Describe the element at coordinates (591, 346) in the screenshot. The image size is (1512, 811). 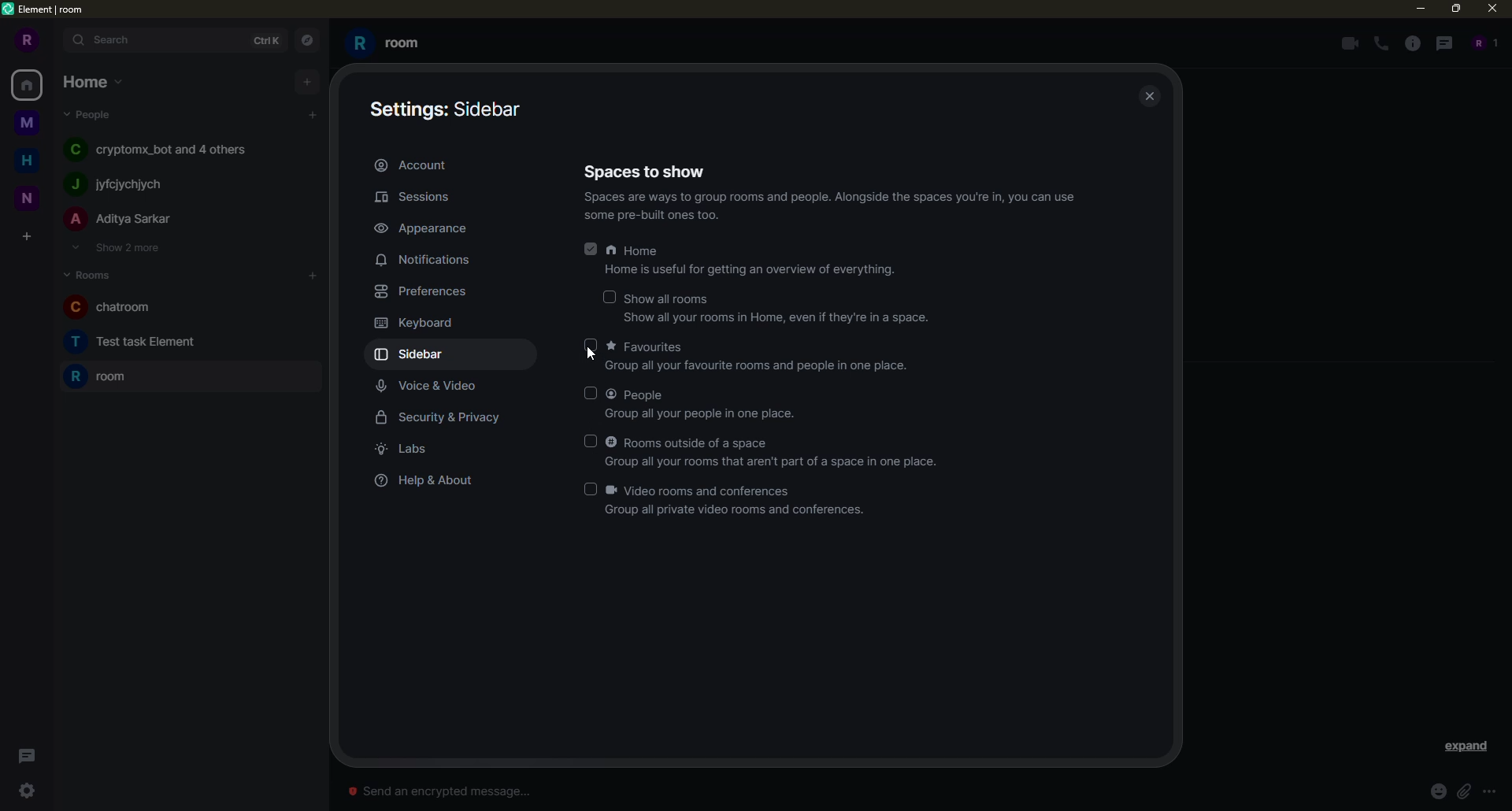
I see `select` at that location.